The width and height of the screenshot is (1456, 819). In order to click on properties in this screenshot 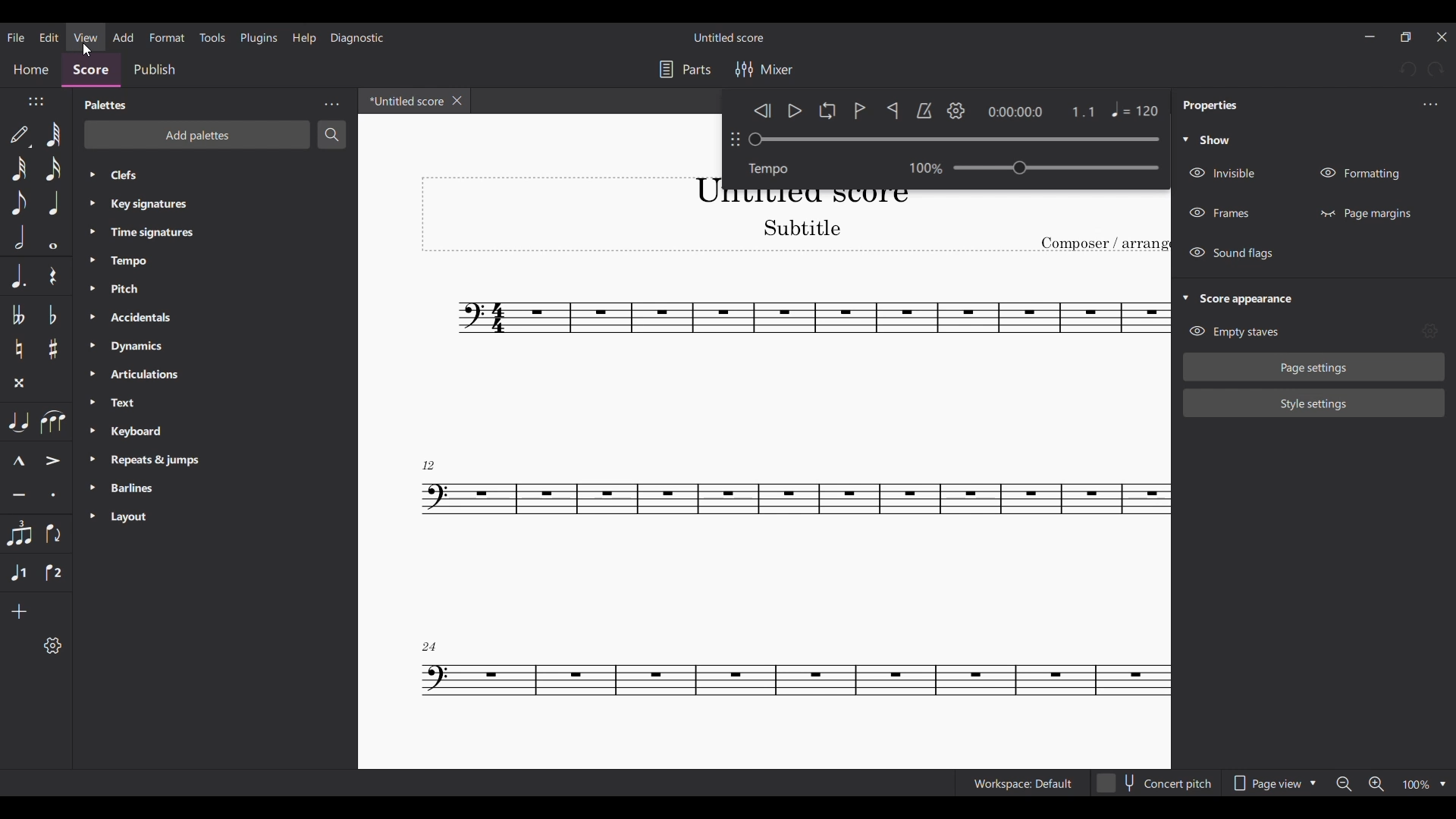, I will do `click(1210, 107)`.